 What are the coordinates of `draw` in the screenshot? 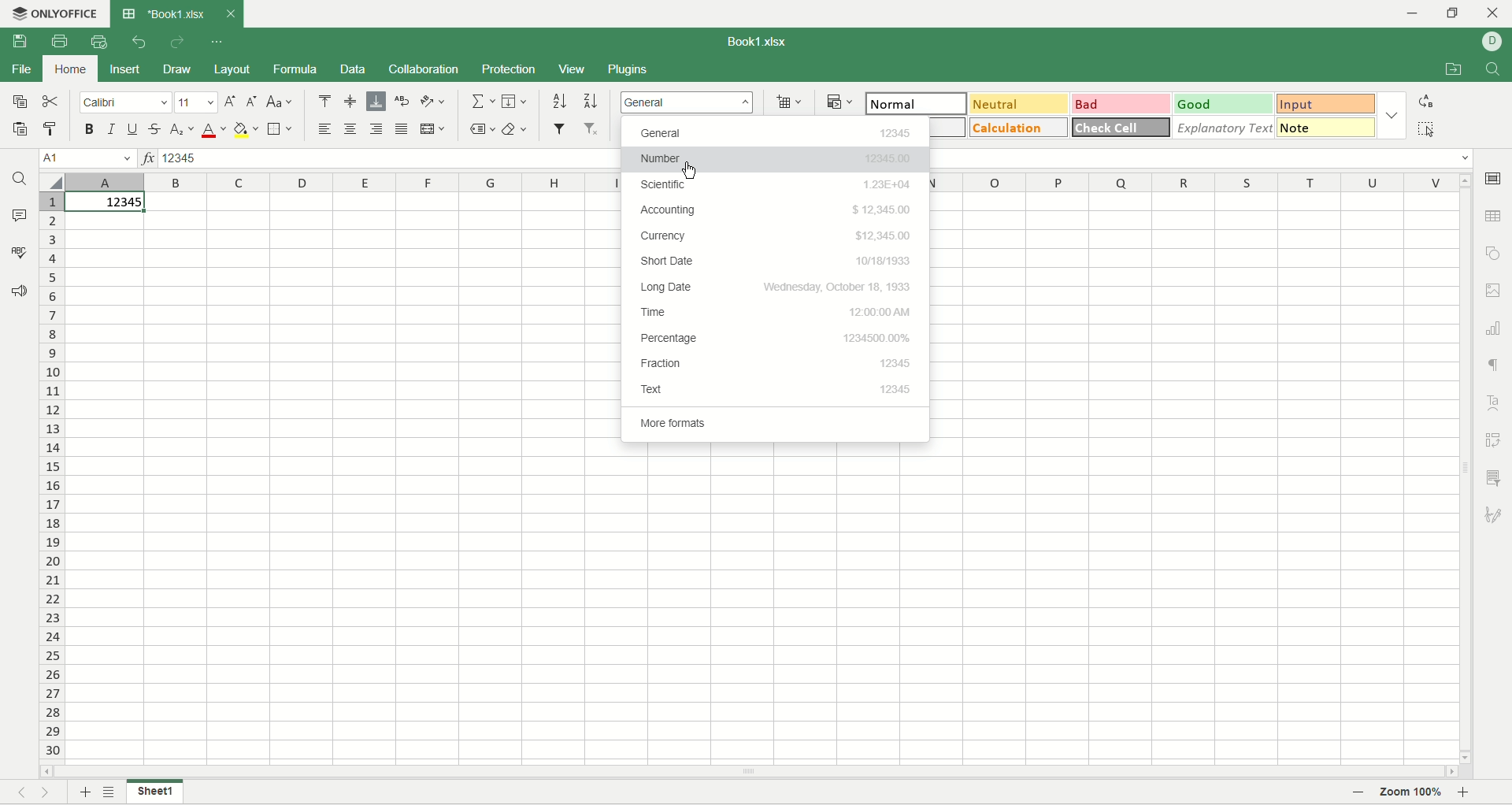 It's located at (176, 69).